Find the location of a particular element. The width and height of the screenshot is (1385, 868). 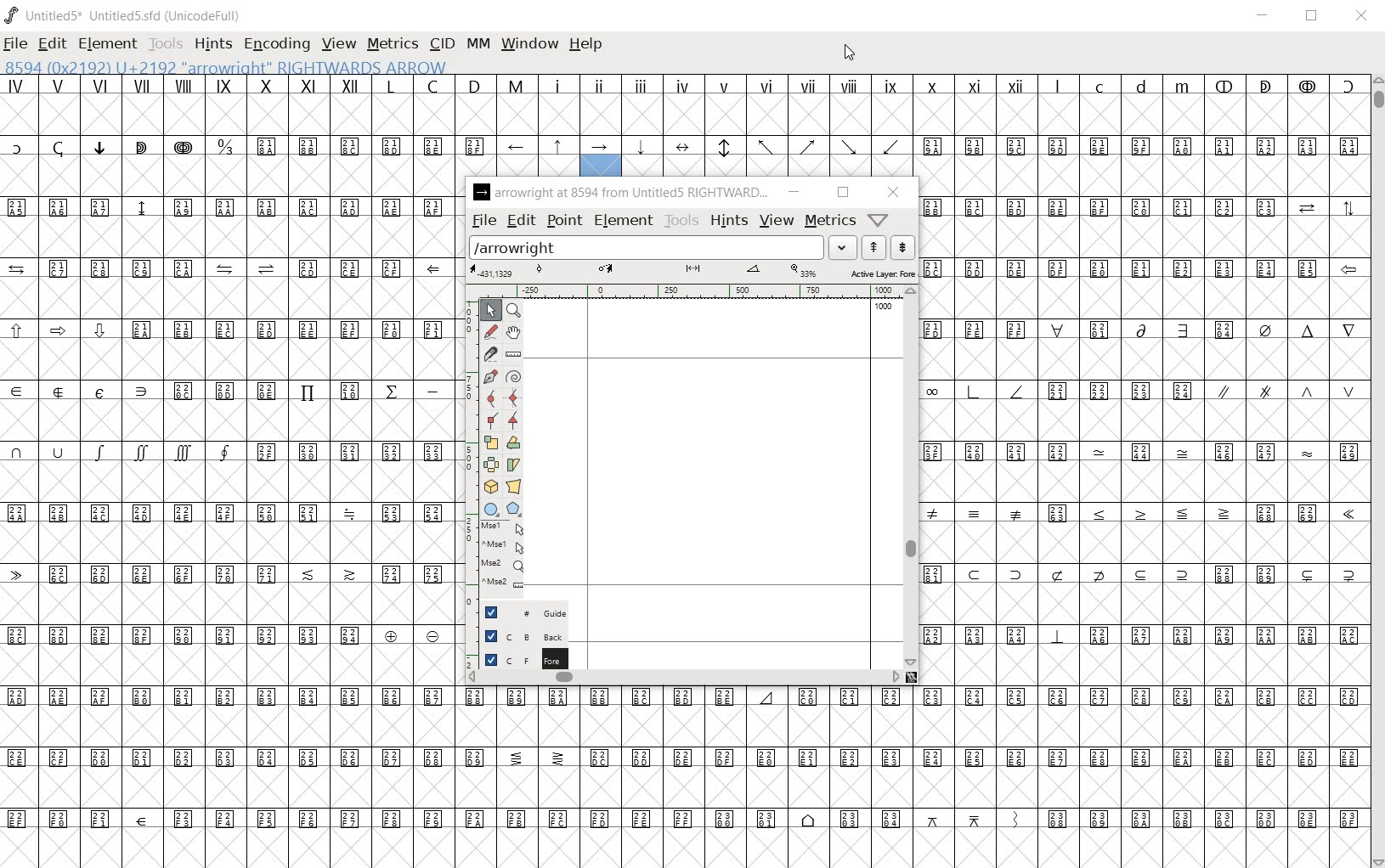

draw a freehand curve is located at coordinates (490, 331).